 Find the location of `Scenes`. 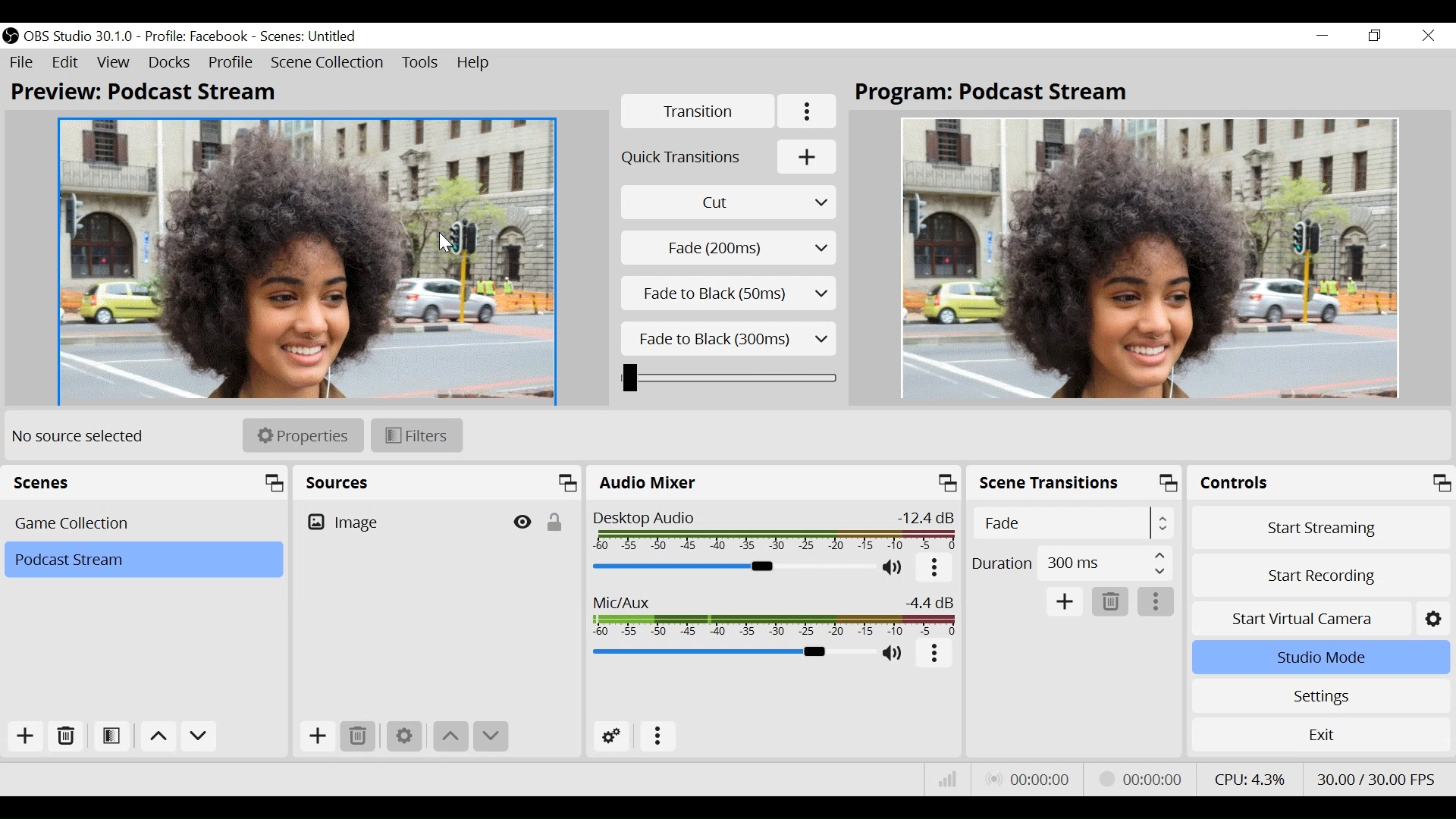

Scenes is located at coordinates (145, 524).